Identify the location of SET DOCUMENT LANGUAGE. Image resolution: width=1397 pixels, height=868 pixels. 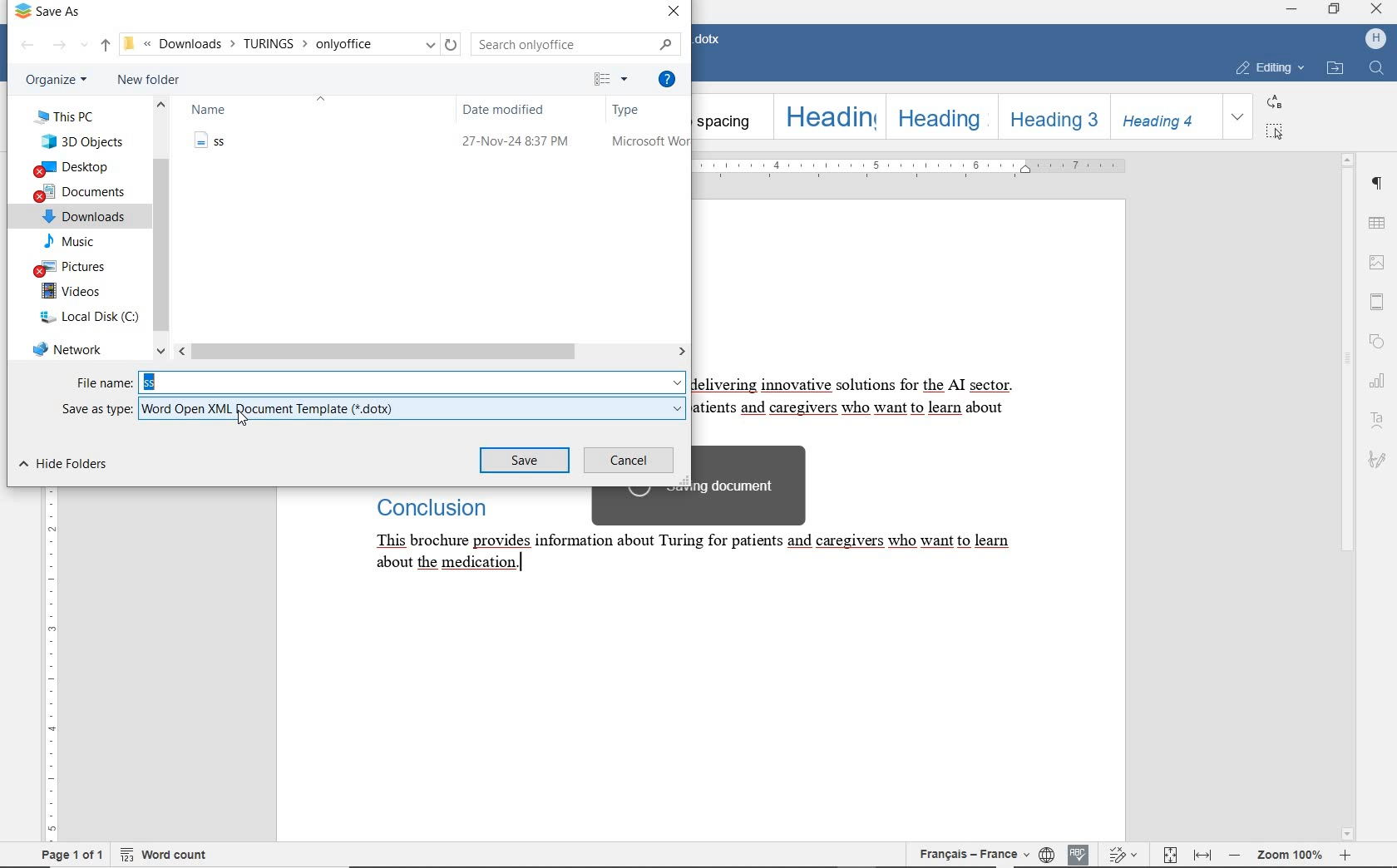
(1047, 852).